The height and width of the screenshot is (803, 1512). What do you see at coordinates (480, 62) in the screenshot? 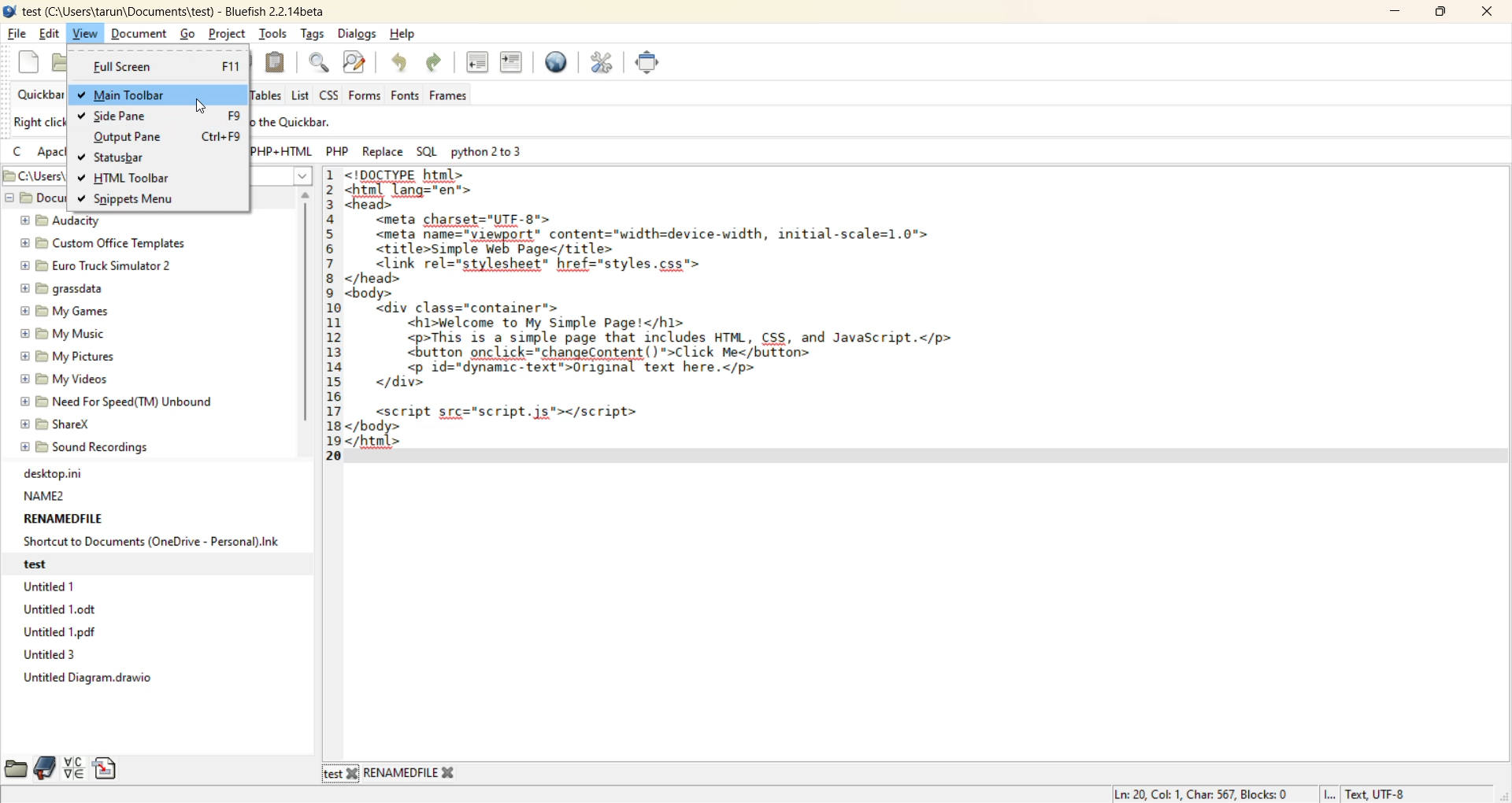
I see `unindent` at bounding box center [480, 62].